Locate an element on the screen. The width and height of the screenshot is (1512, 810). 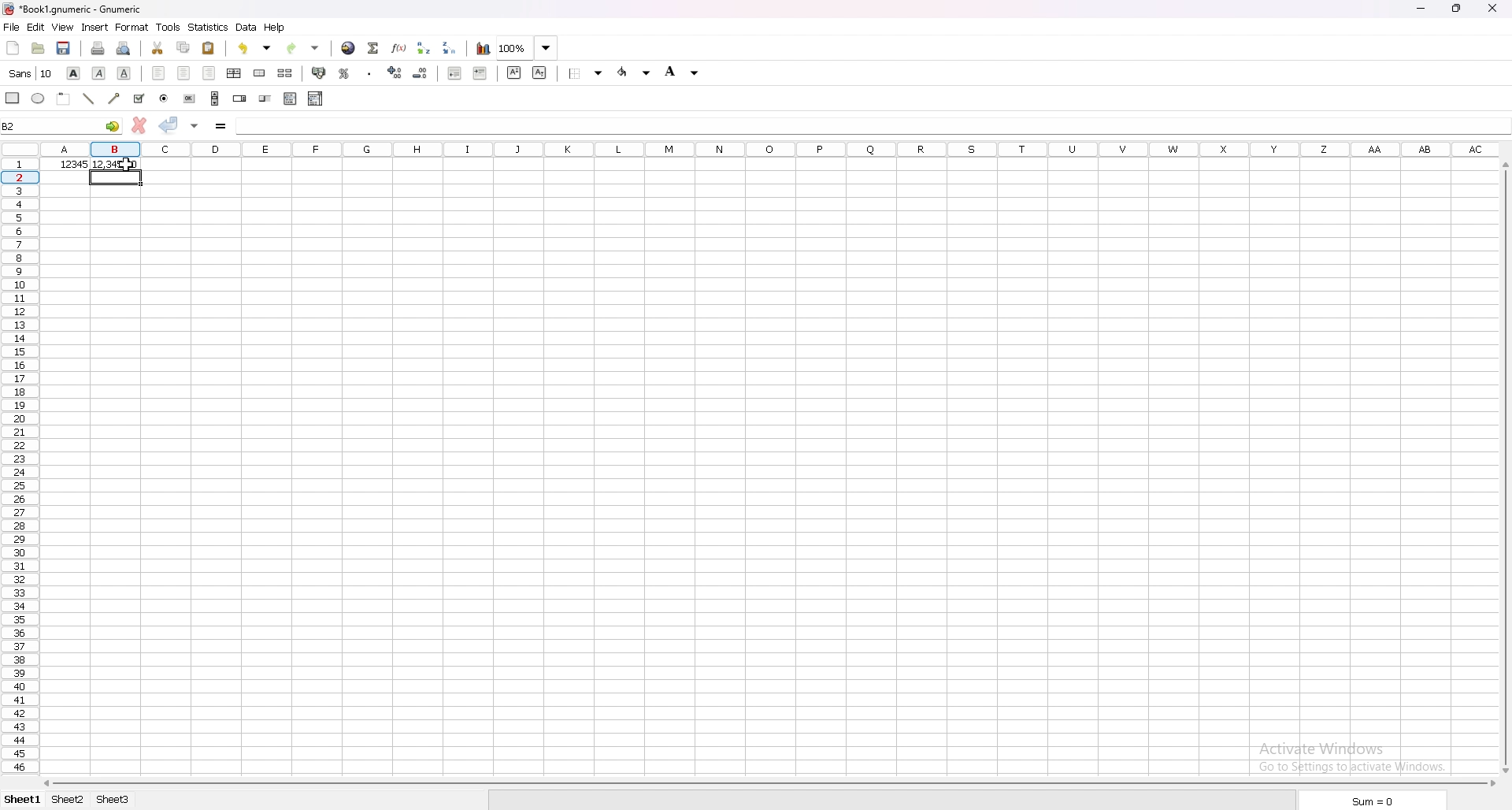
hyperlink is located at coordinates (350, 47).